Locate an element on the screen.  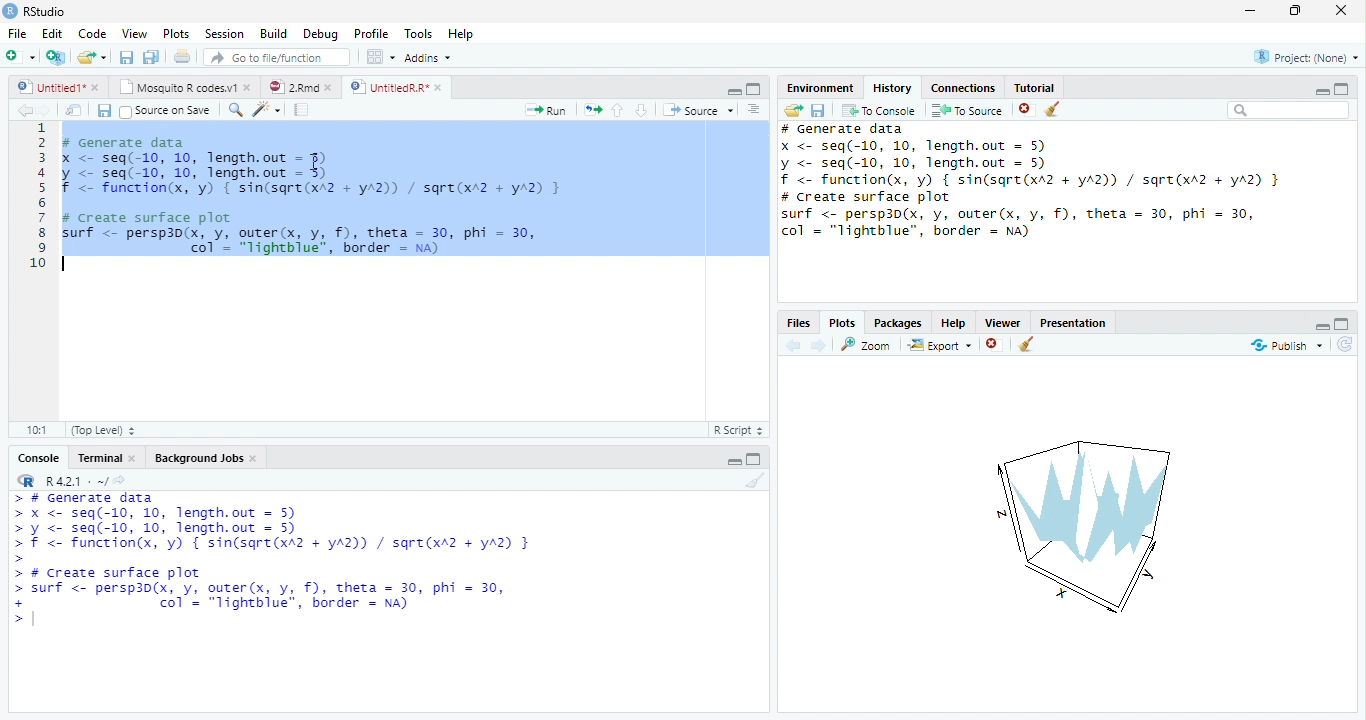
Show in new window is located at coordinates (73, 110).